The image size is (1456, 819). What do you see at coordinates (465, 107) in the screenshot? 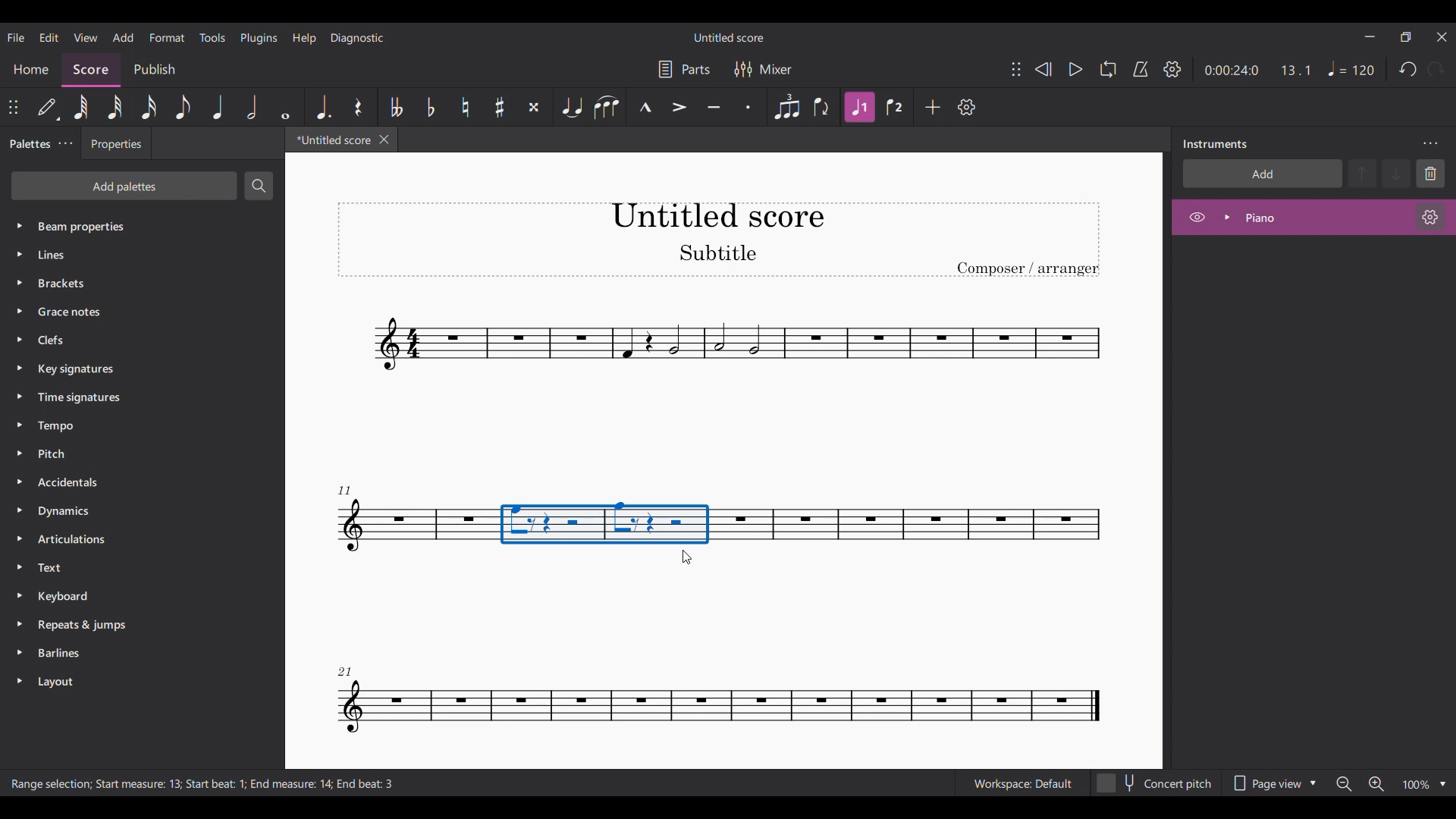
I see `Toggle natural` at bounding box center [465, 107].